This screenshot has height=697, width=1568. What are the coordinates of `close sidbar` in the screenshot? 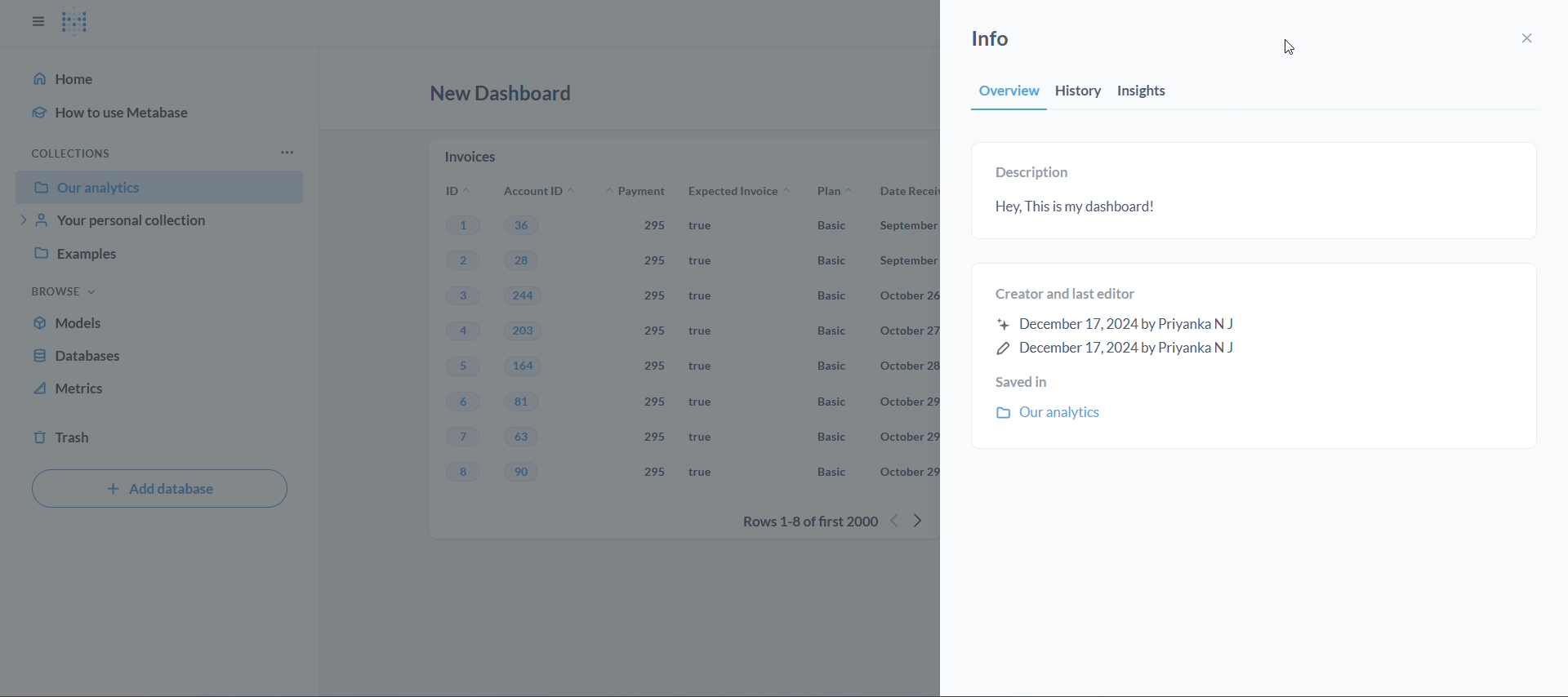 It's located at (36, 22).